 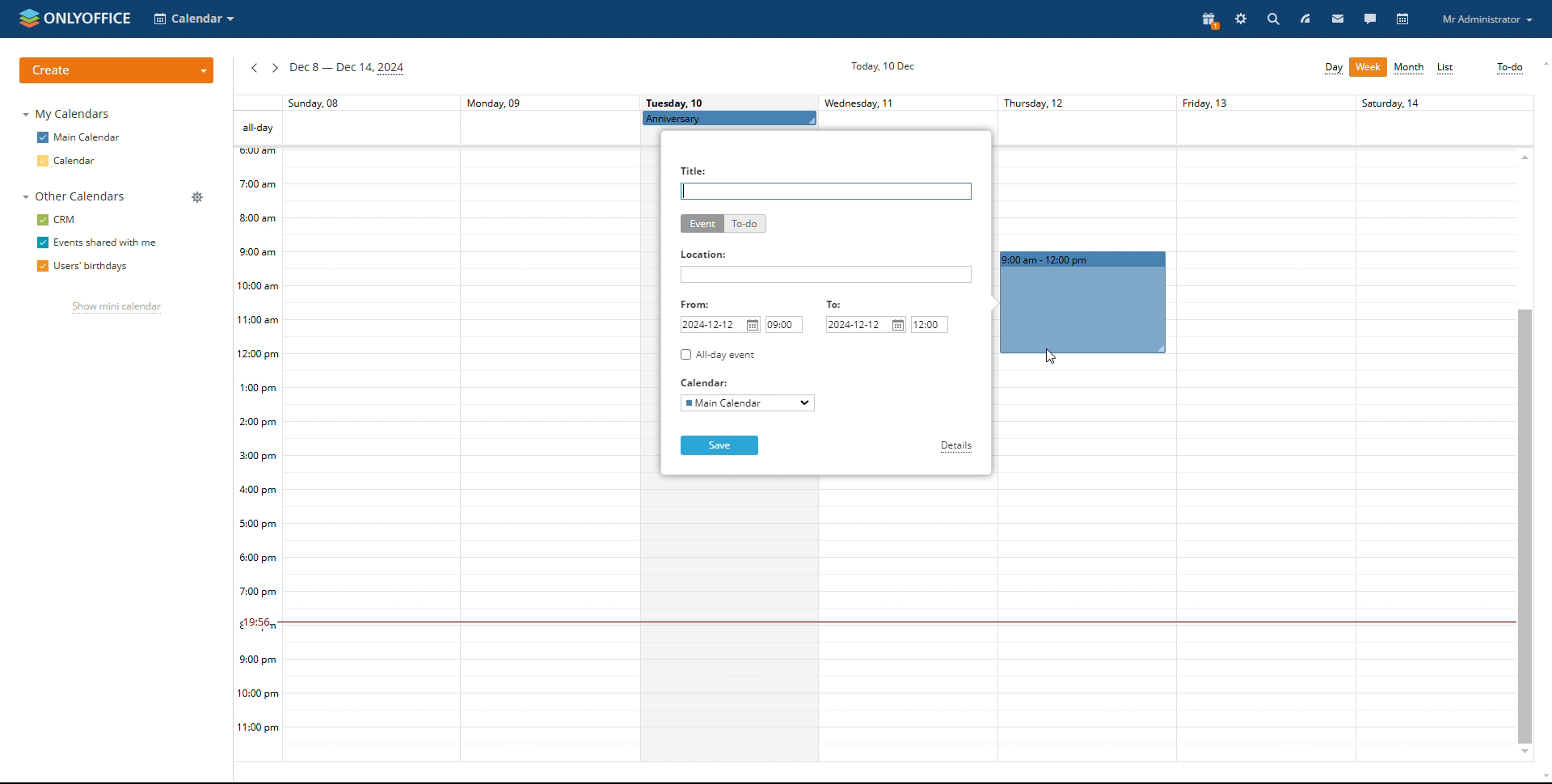 What do you see at coordinates (1542, 778) in the screenshot?
I see `scroll down` at bounding box center [1542, 778].